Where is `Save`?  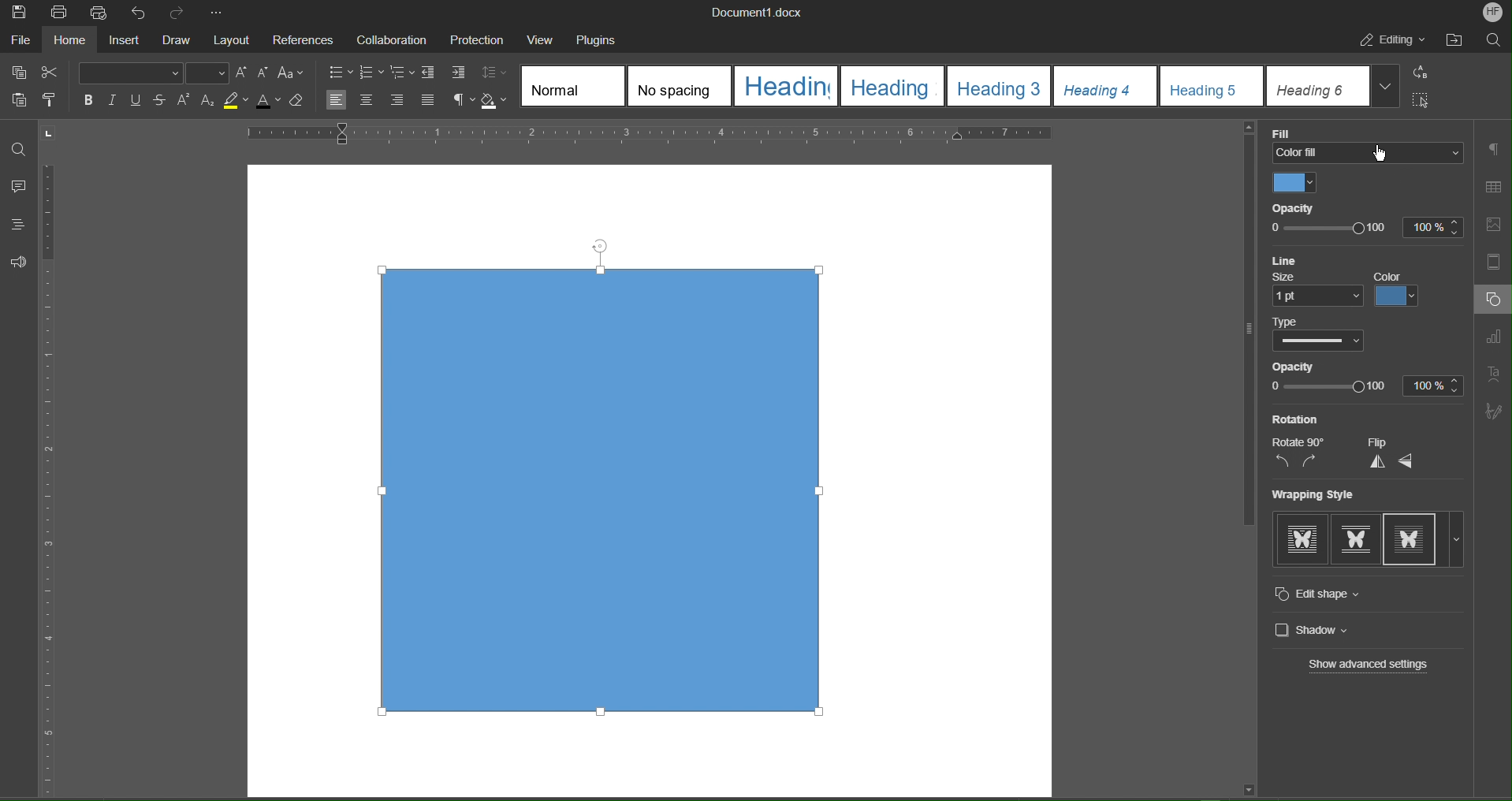 Save is located at coordinates (17, 12).